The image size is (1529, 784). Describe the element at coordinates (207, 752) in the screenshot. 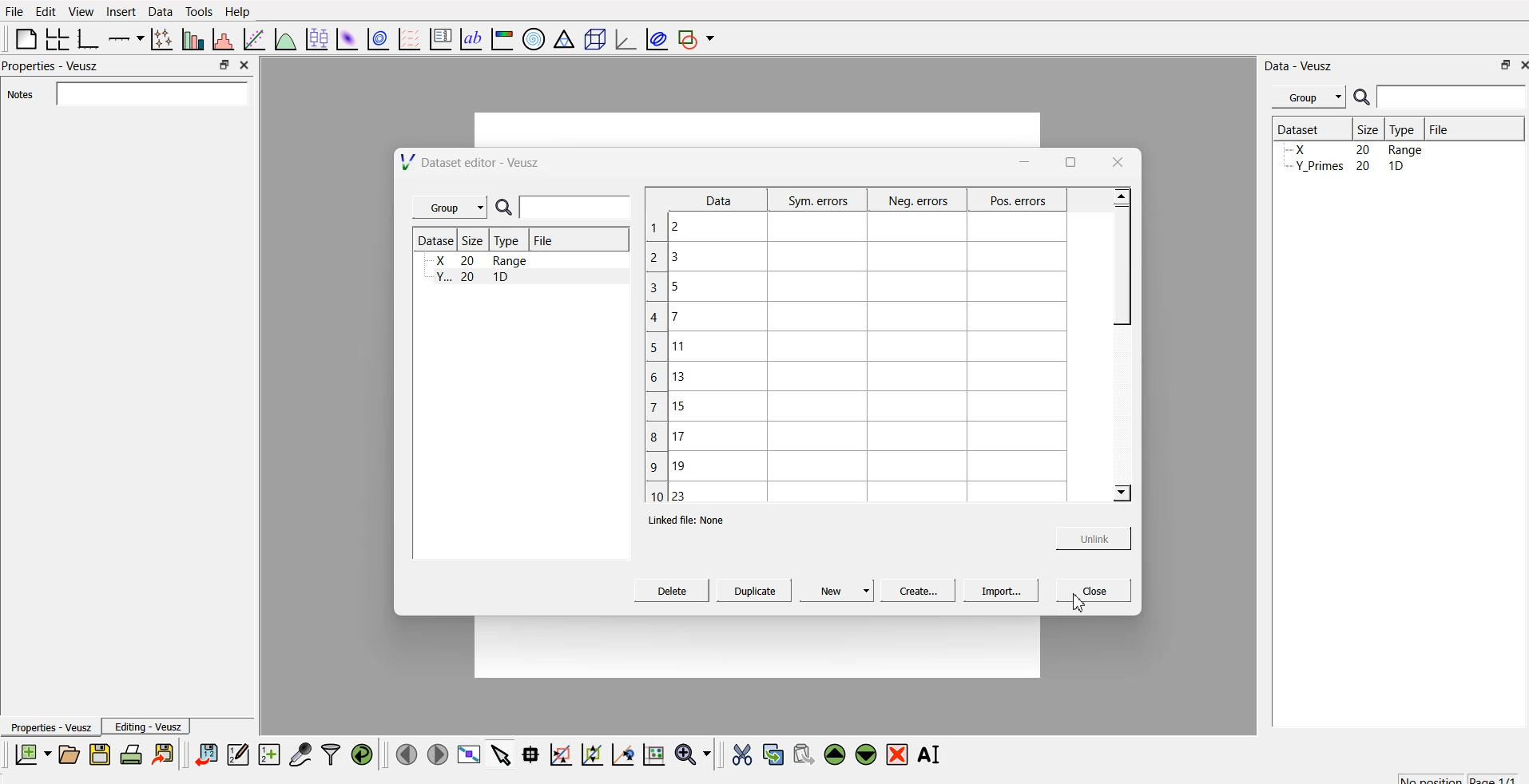

I see `import data` at that location.